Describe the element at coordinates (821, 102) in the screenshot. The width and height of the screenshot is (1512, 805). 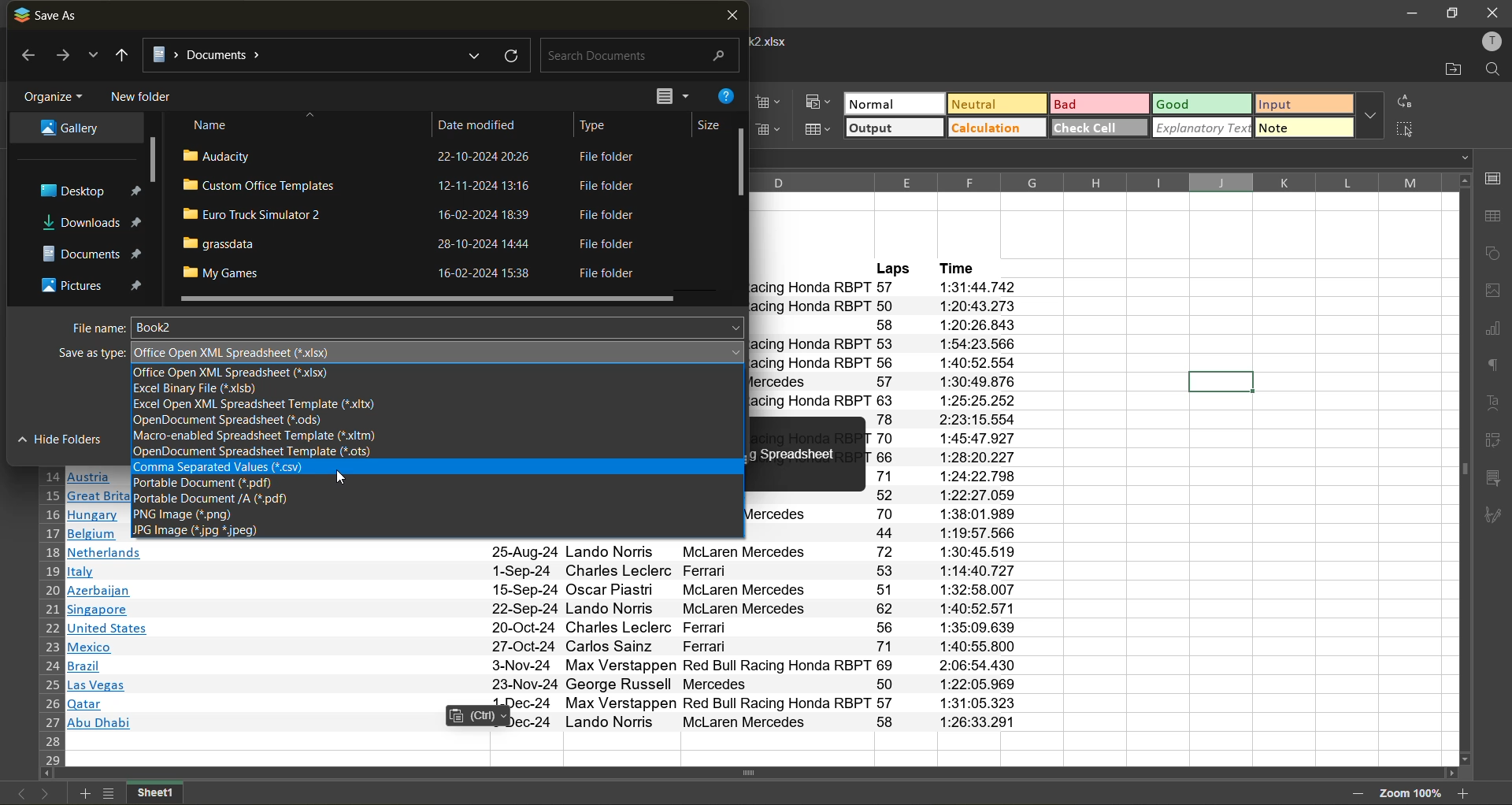
I see `conditional formatting` at that location.